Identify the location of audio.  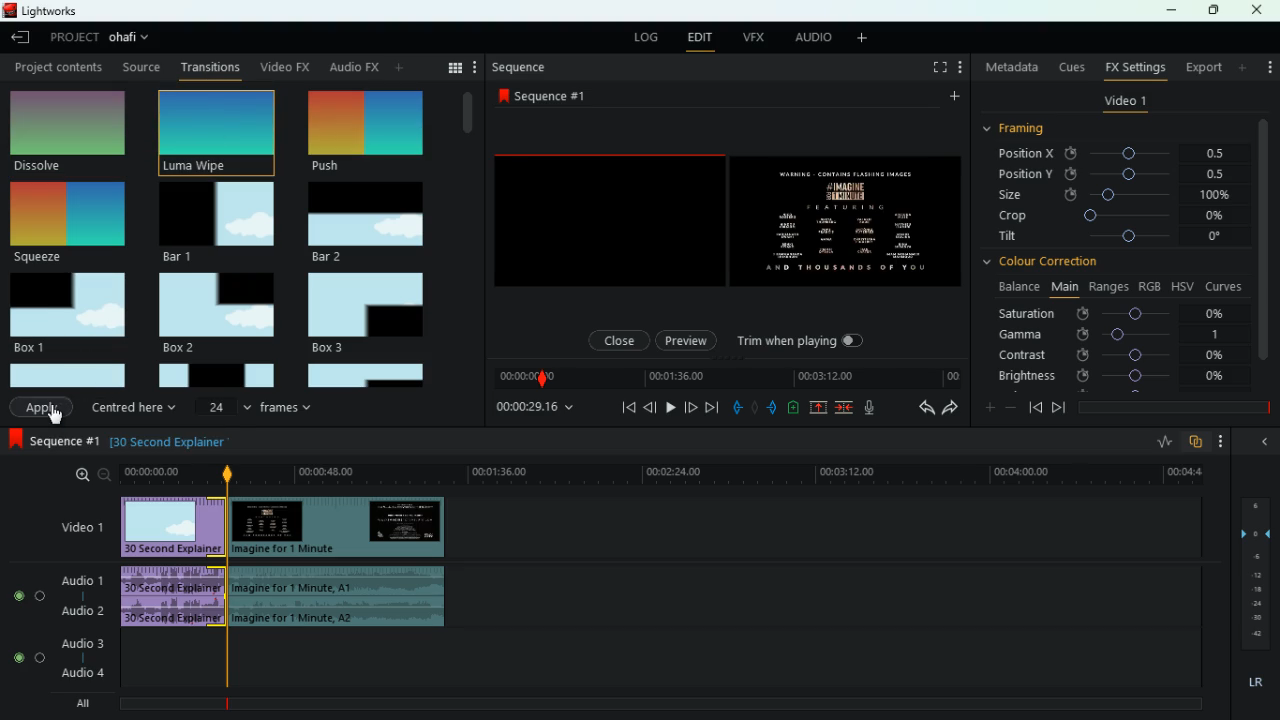
(350, 599).